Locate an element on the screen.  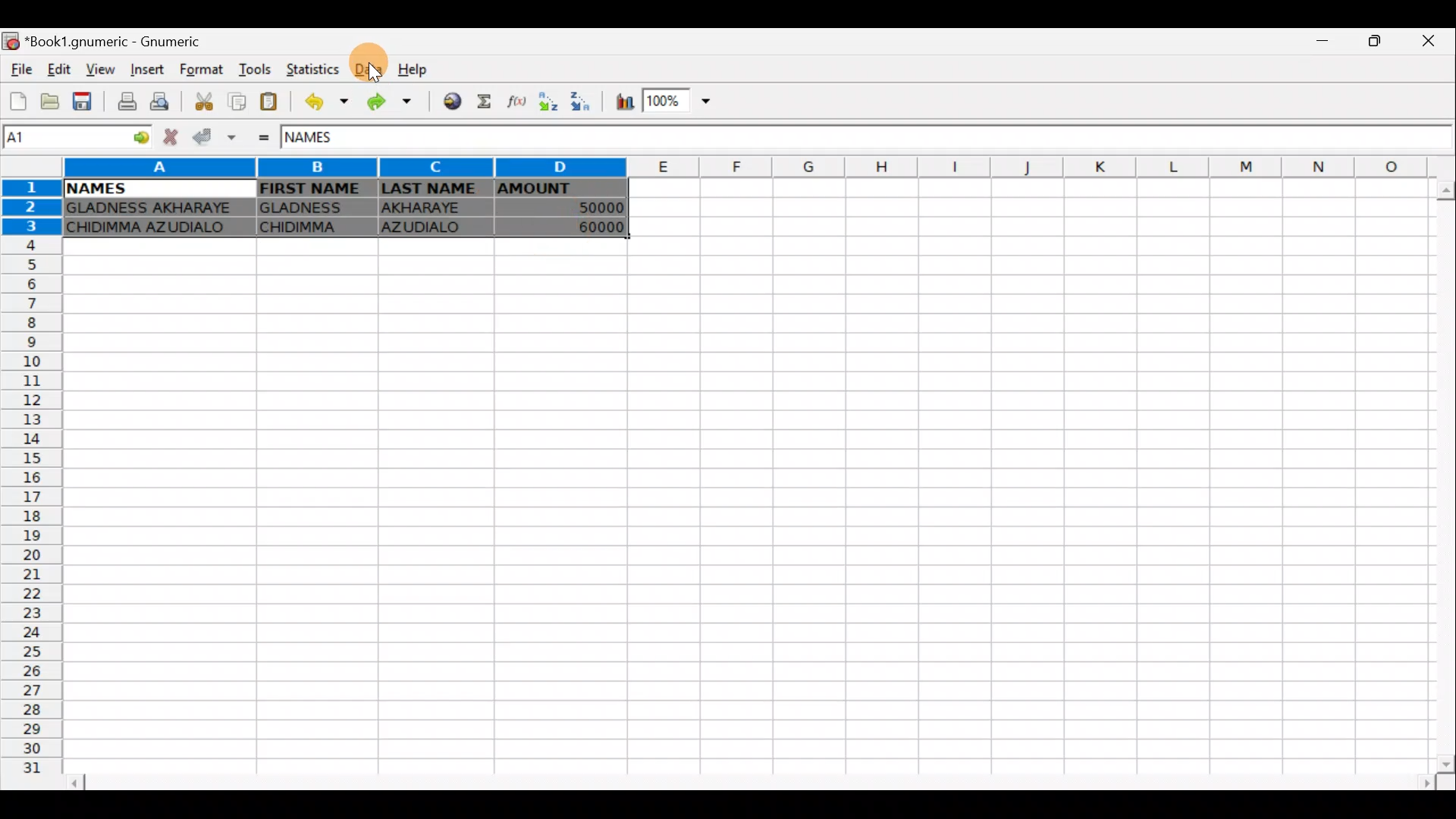
Go to is located at coordinates (136, 139).